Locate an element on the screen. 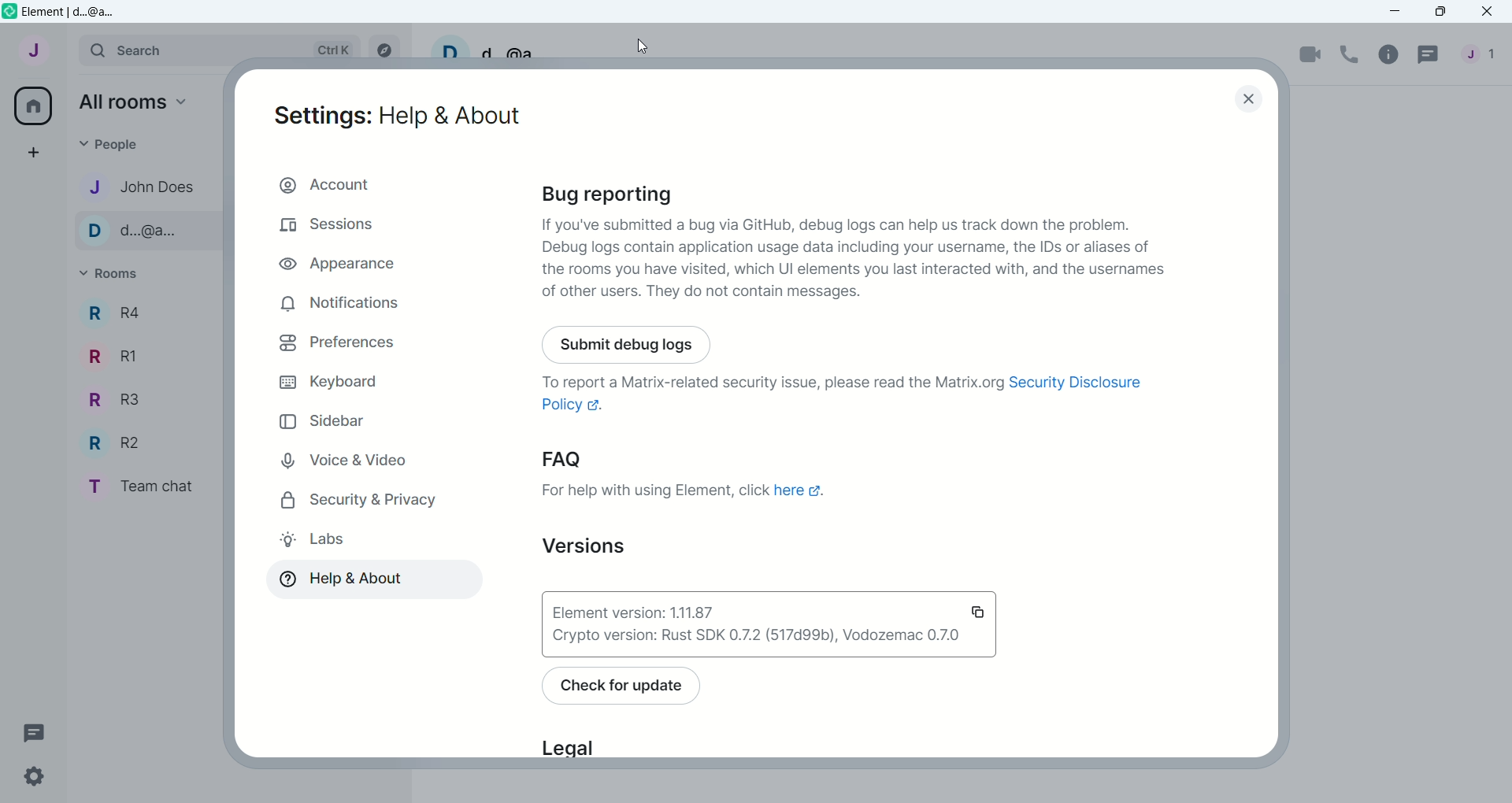  Check for update is located at coordinates (645, 688).